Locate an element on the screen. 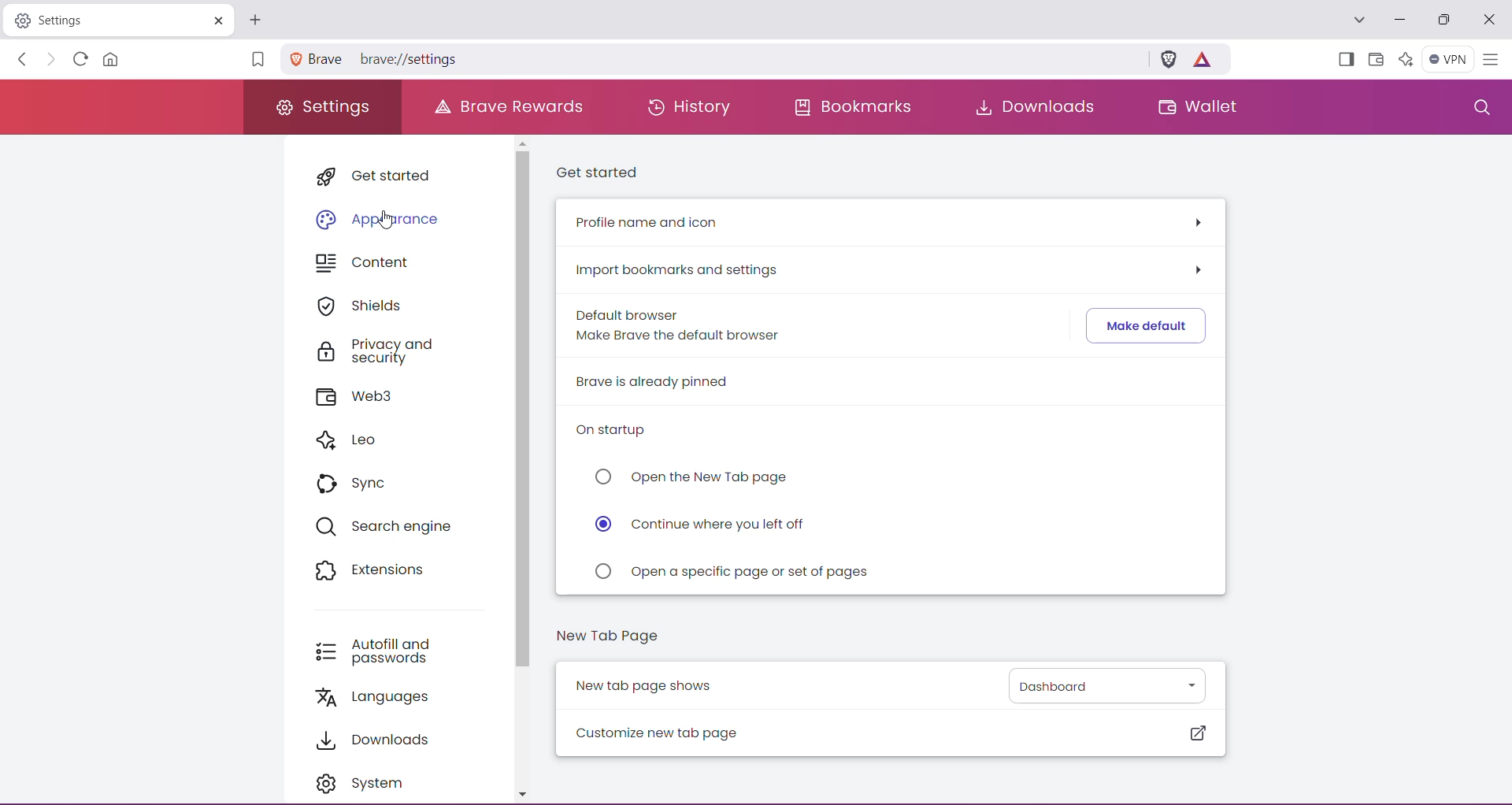 This screenshot has width=1512, height=805. On startup is located at coordinates (625, 431).